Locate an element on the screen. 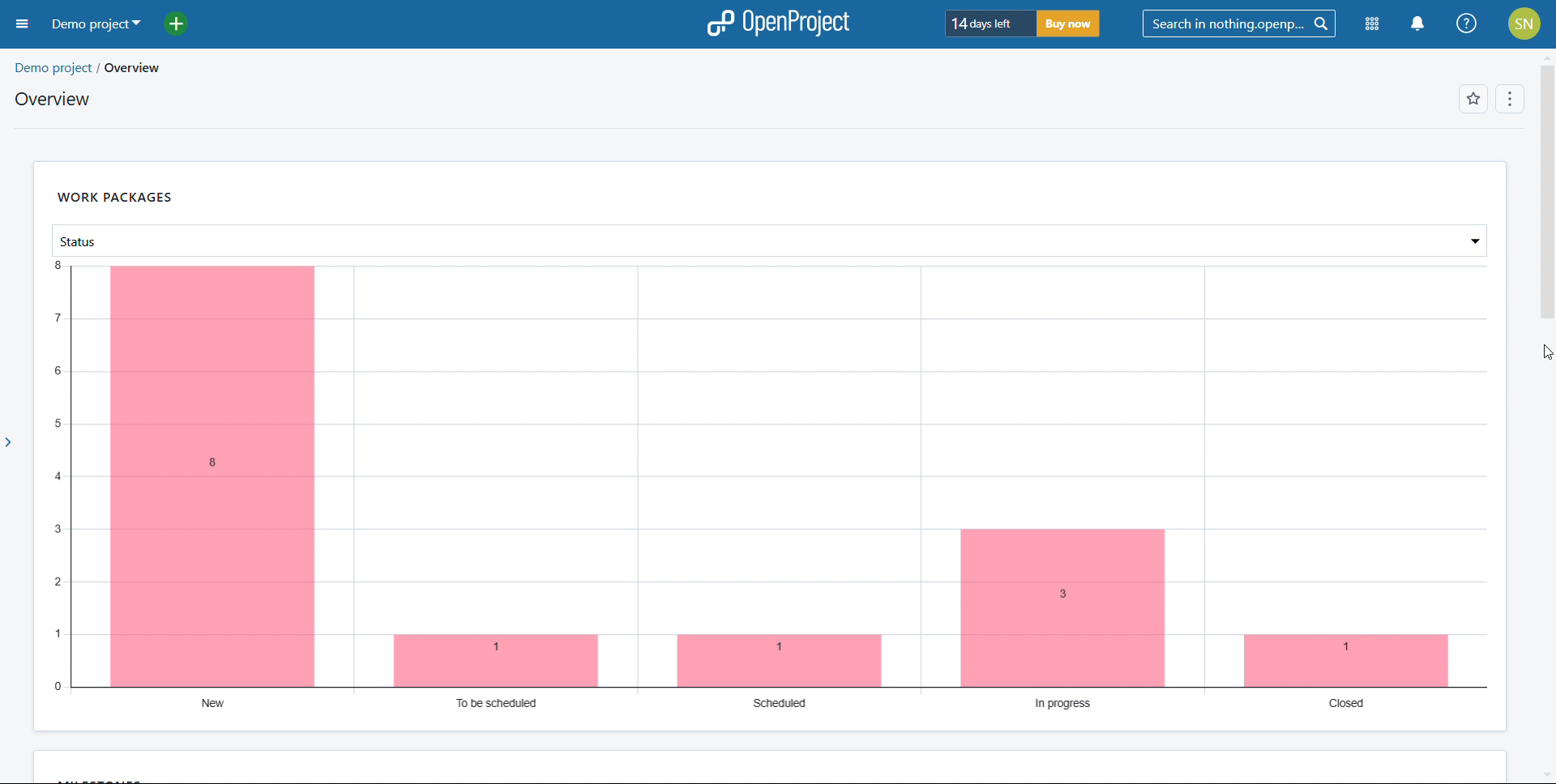 The height and width of the screenshot is (784, 1556). home is located at coordinates (191, 65).